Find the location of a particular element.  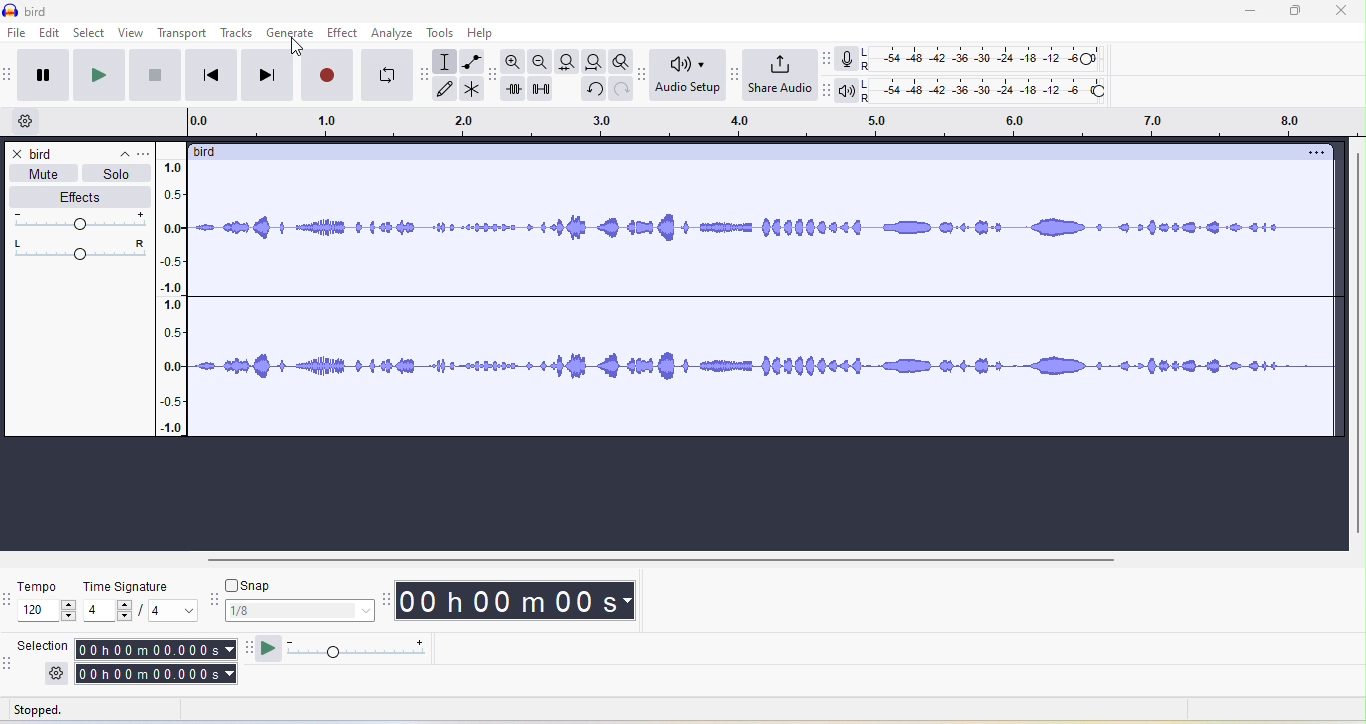

enable looping is located at coordinates (385, 75).